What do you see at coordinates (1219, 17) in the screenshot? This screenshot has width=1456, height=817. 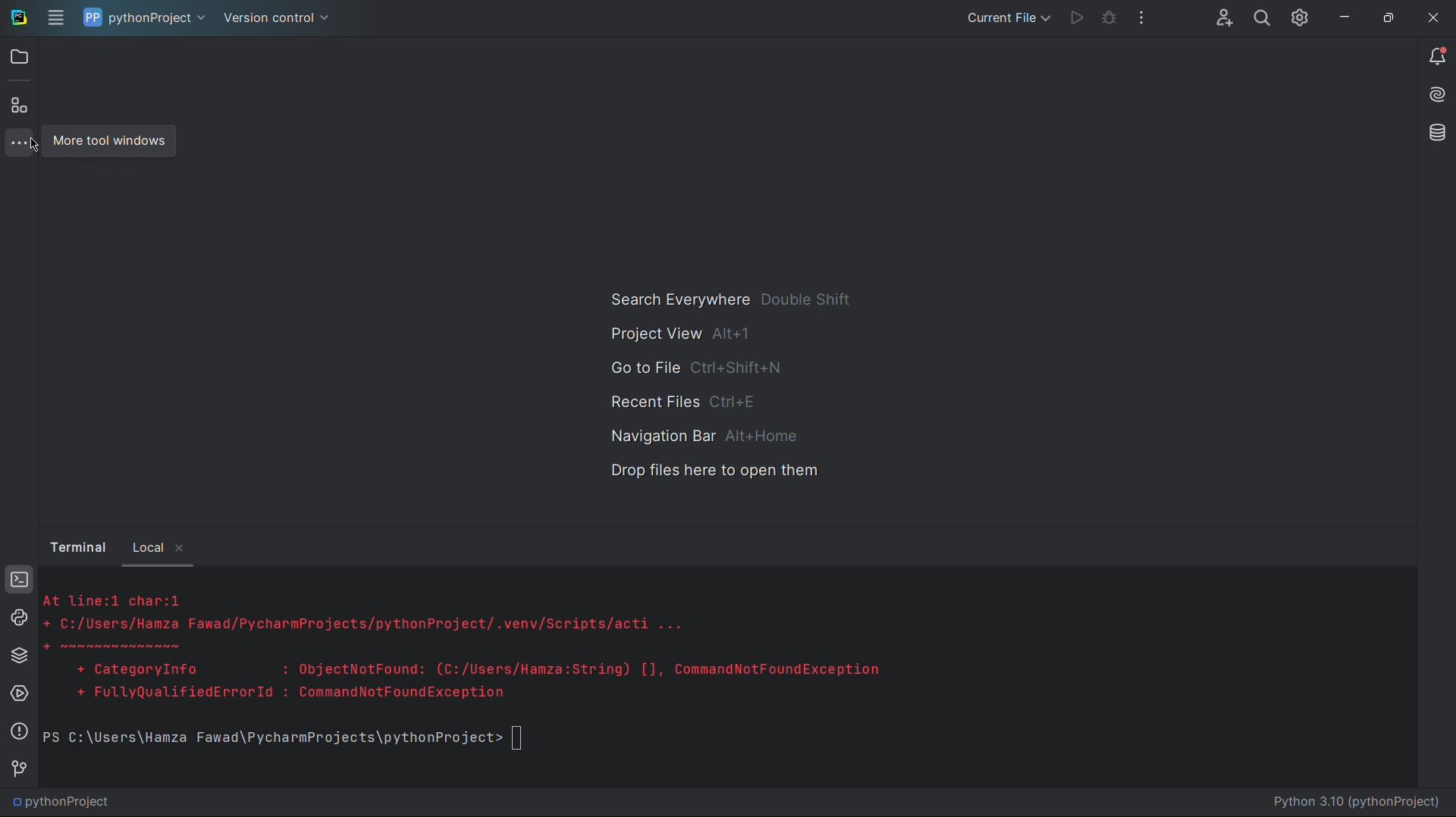 I see `Account` at bounding box center [1219, 17].